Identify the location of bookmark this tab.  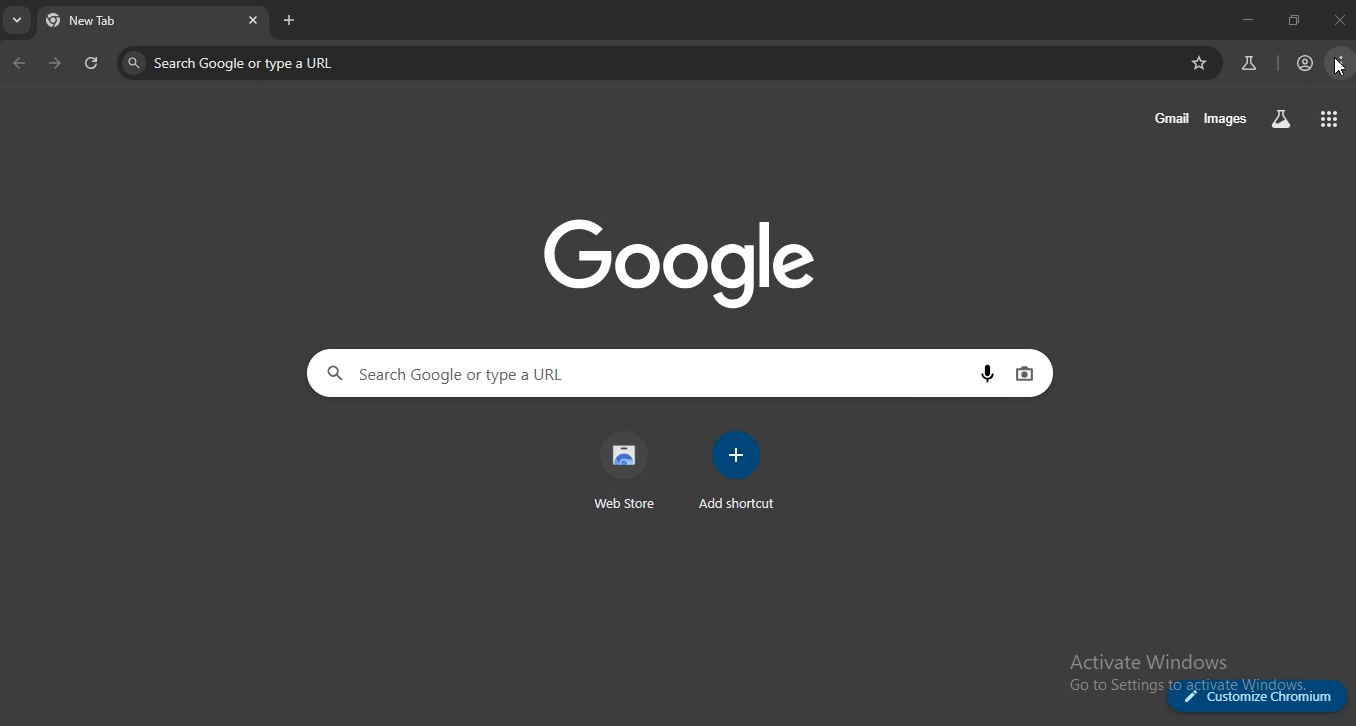
(1202, 63).